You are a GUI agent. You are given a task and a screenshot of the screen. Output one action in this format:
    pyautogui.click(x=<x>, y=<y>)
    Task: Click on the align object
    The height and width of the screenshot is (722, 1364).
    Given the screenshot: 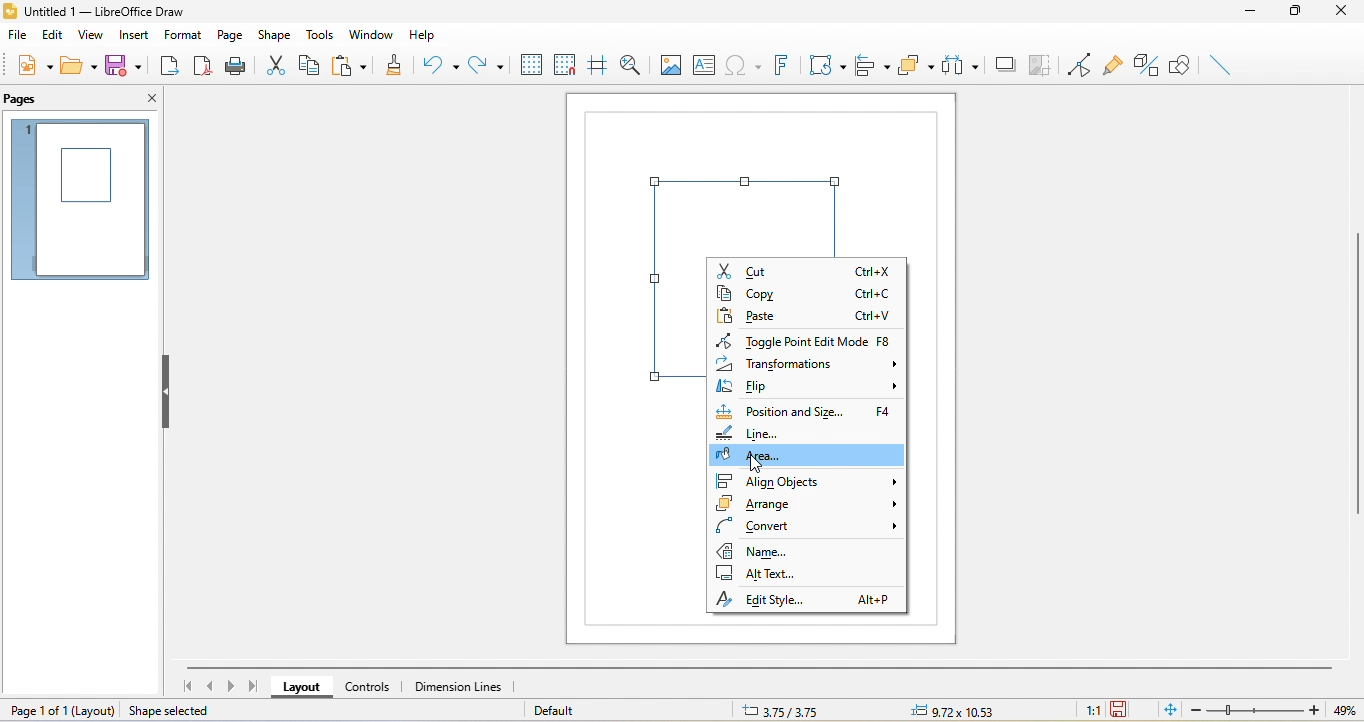 What is the action you would take?
    pyautogui.click(x=869, y=66)
    